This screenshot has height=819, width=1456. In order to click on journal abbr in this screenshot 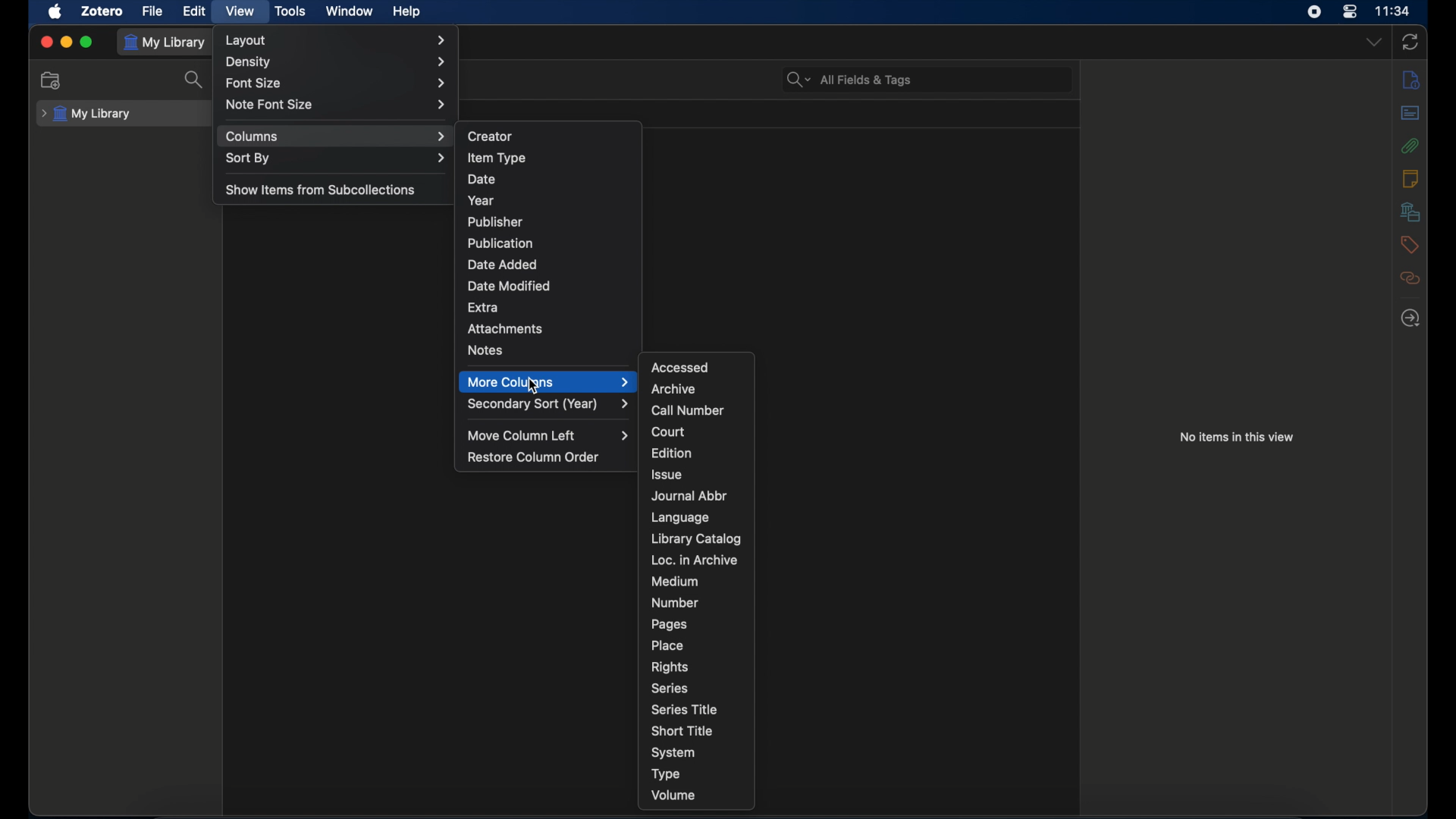, I will do `click(691, 496)`.